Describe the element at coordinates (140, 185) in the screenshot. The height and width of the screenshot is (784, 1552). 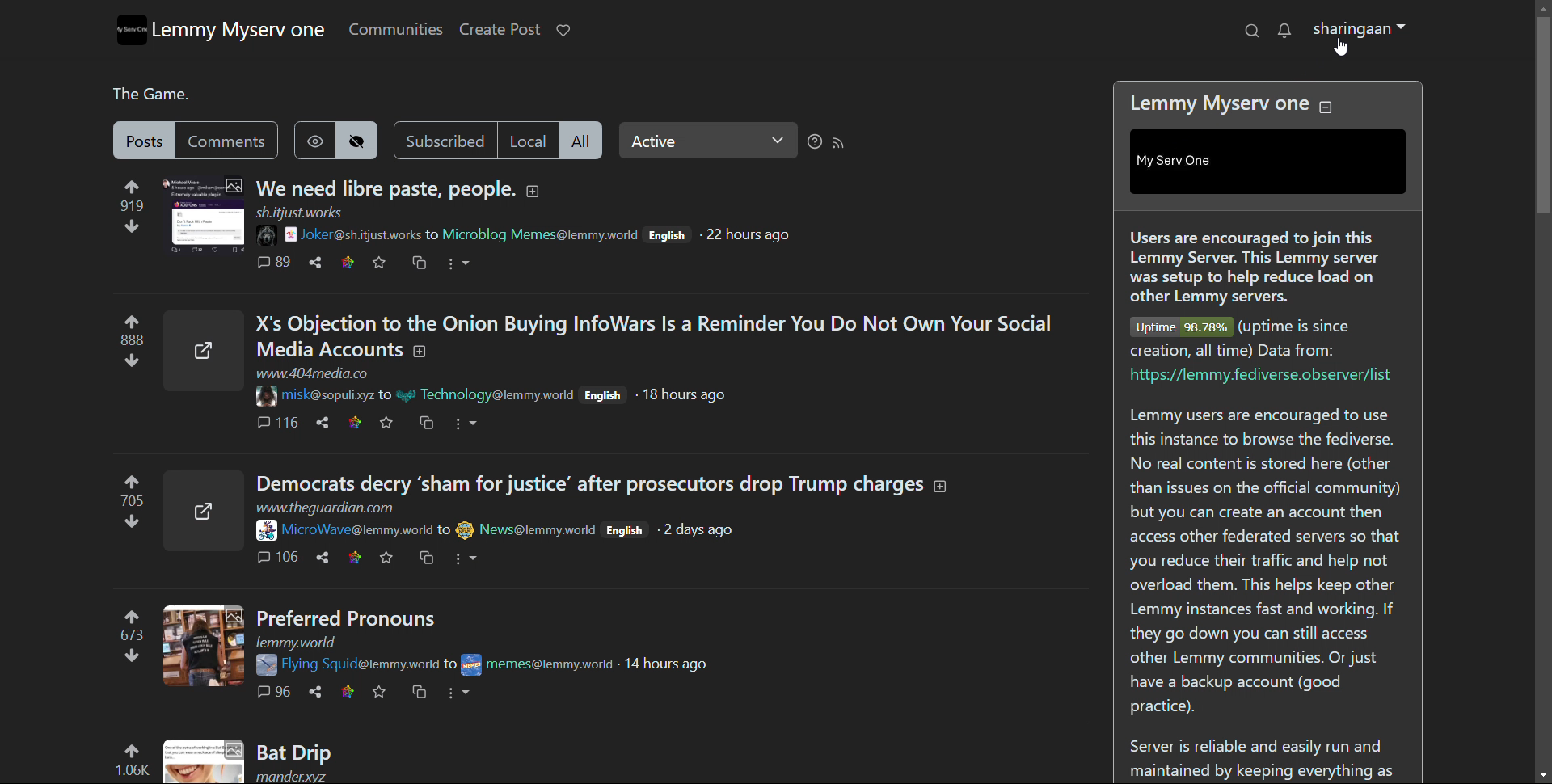
I see `upvotes` at that location.